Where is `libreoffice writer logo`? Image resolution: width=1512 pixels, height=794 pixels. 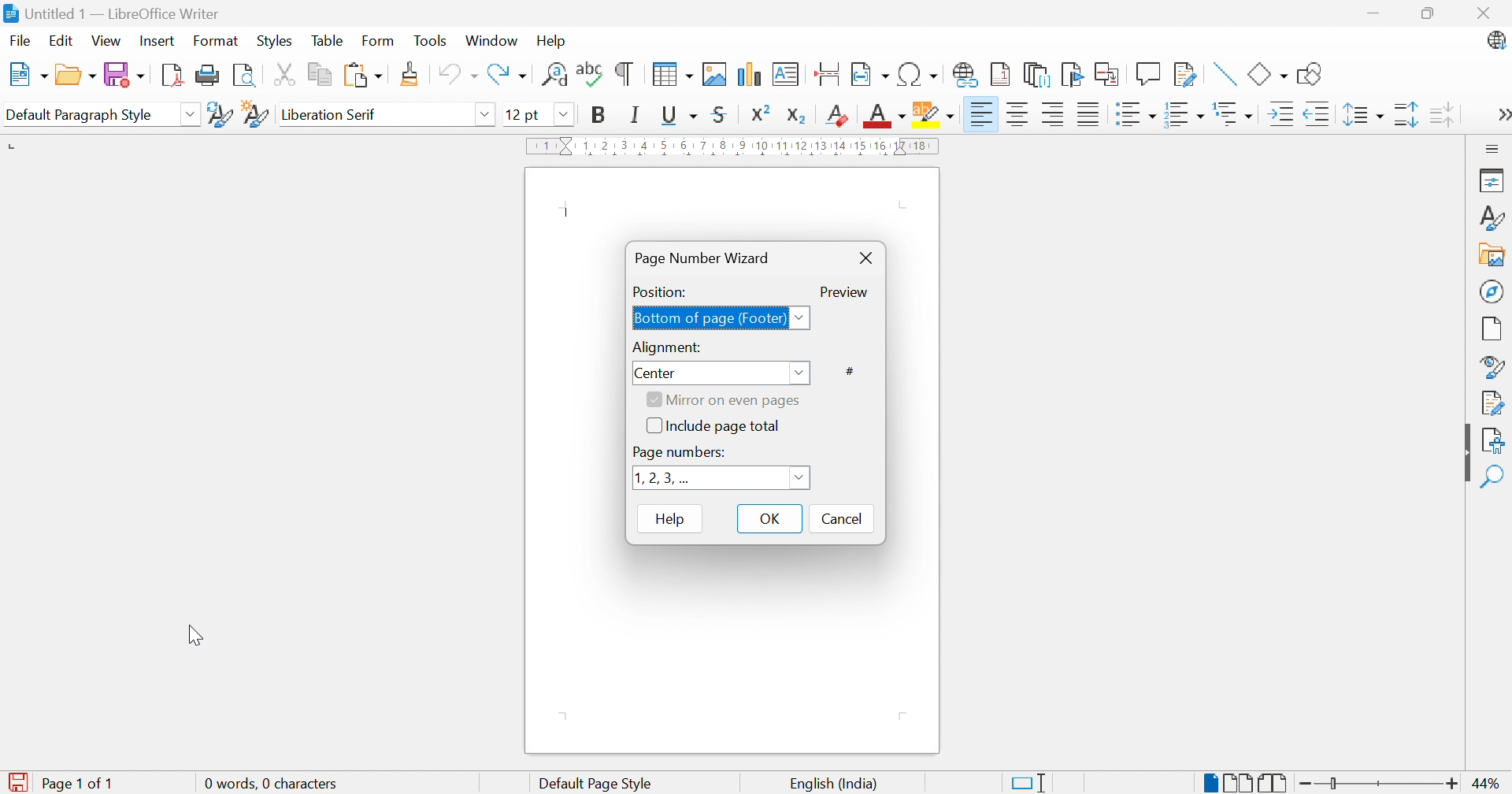
libreoffice writer logo is located at coordinates (9, 13).